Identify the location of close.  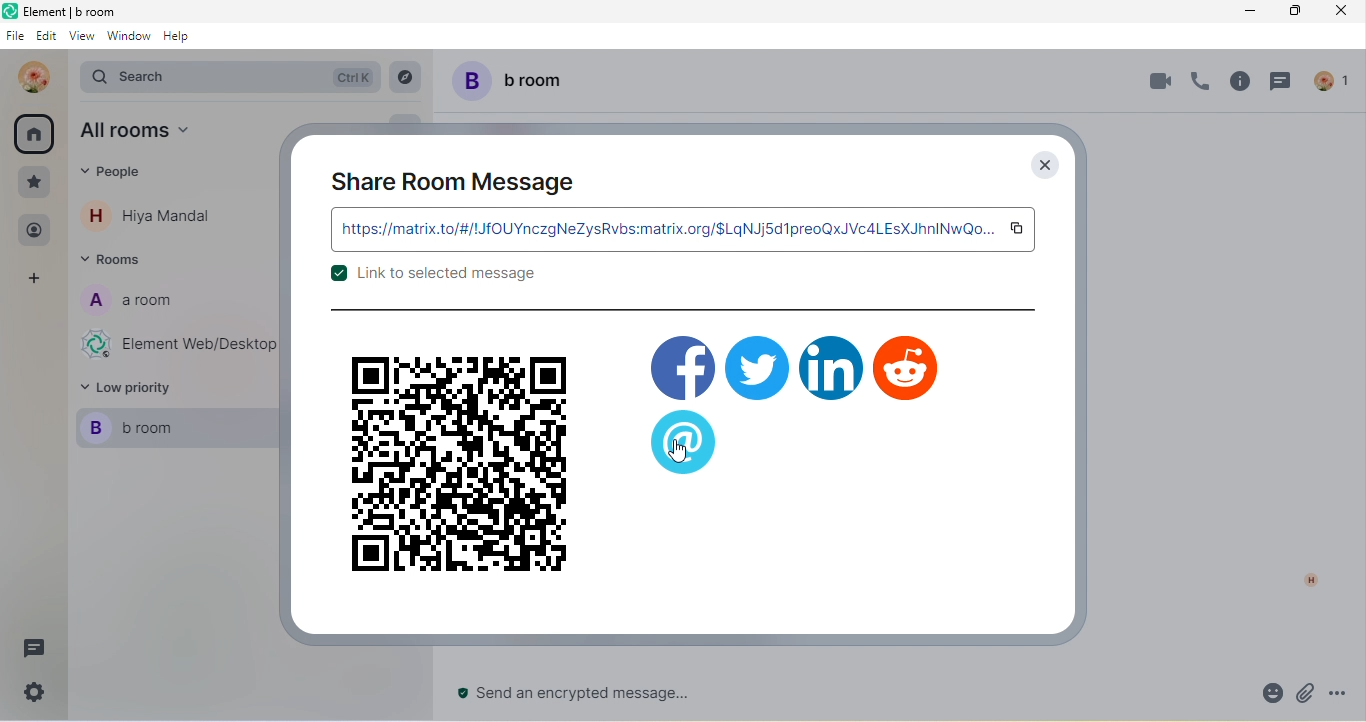
(1337, 12).